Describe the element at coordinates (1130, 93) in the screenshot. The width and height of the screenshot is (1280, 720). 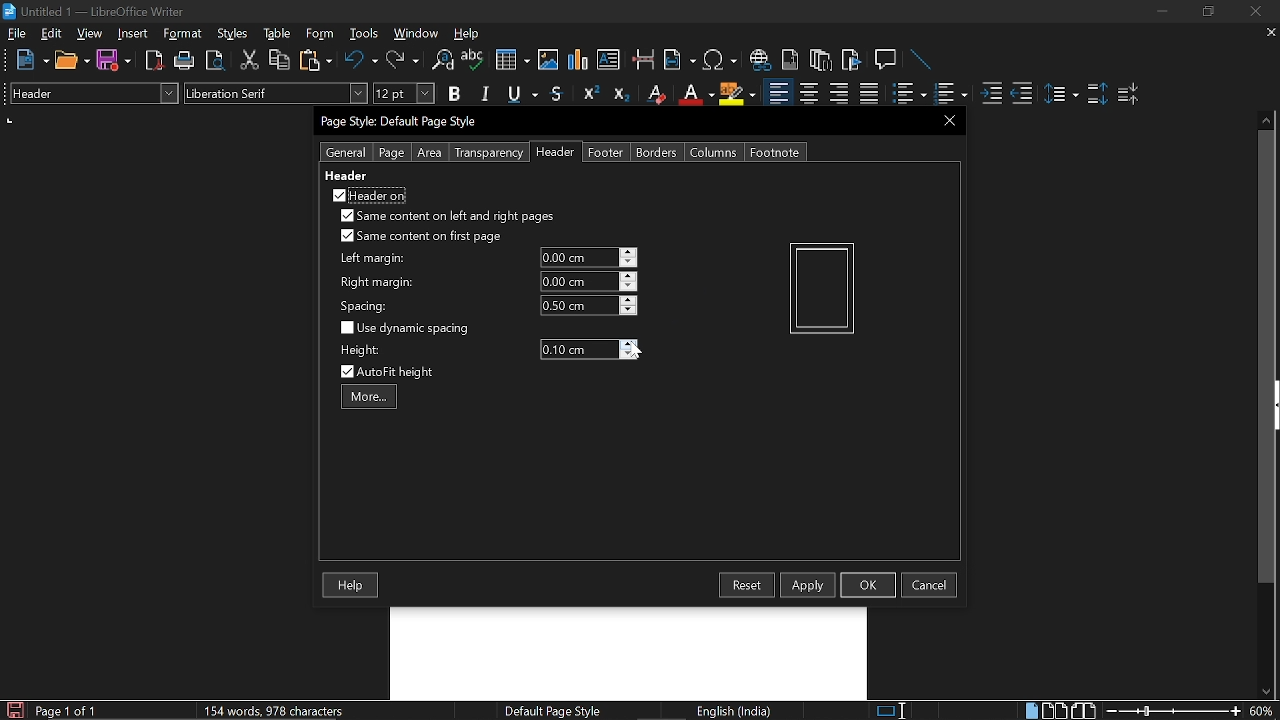
I see `decrease paragraph spacing Decrease paragraph spacing` at that location.